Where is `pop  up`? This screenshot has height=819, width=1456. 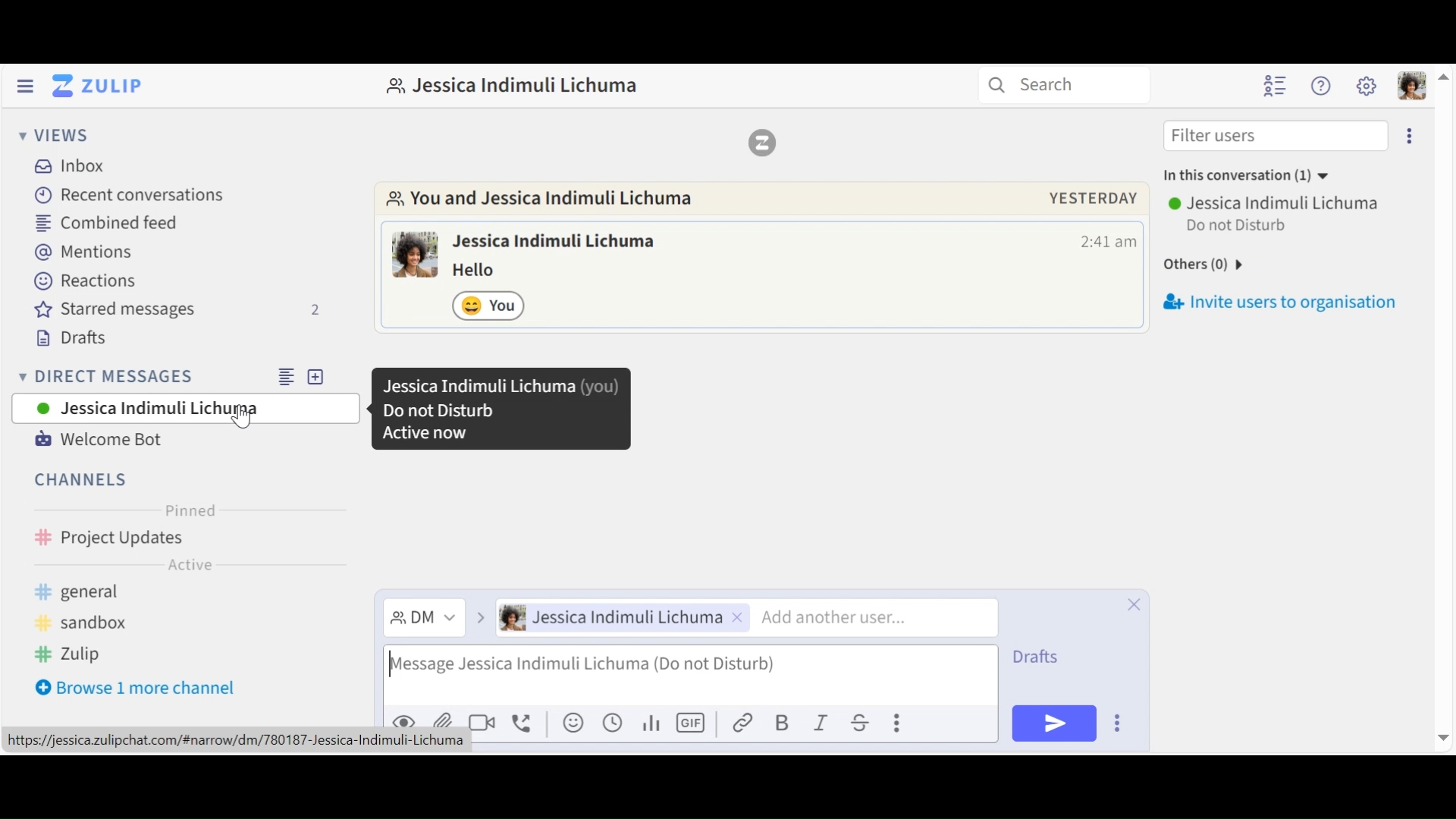
pop  up is located at coordinates (499, 411).